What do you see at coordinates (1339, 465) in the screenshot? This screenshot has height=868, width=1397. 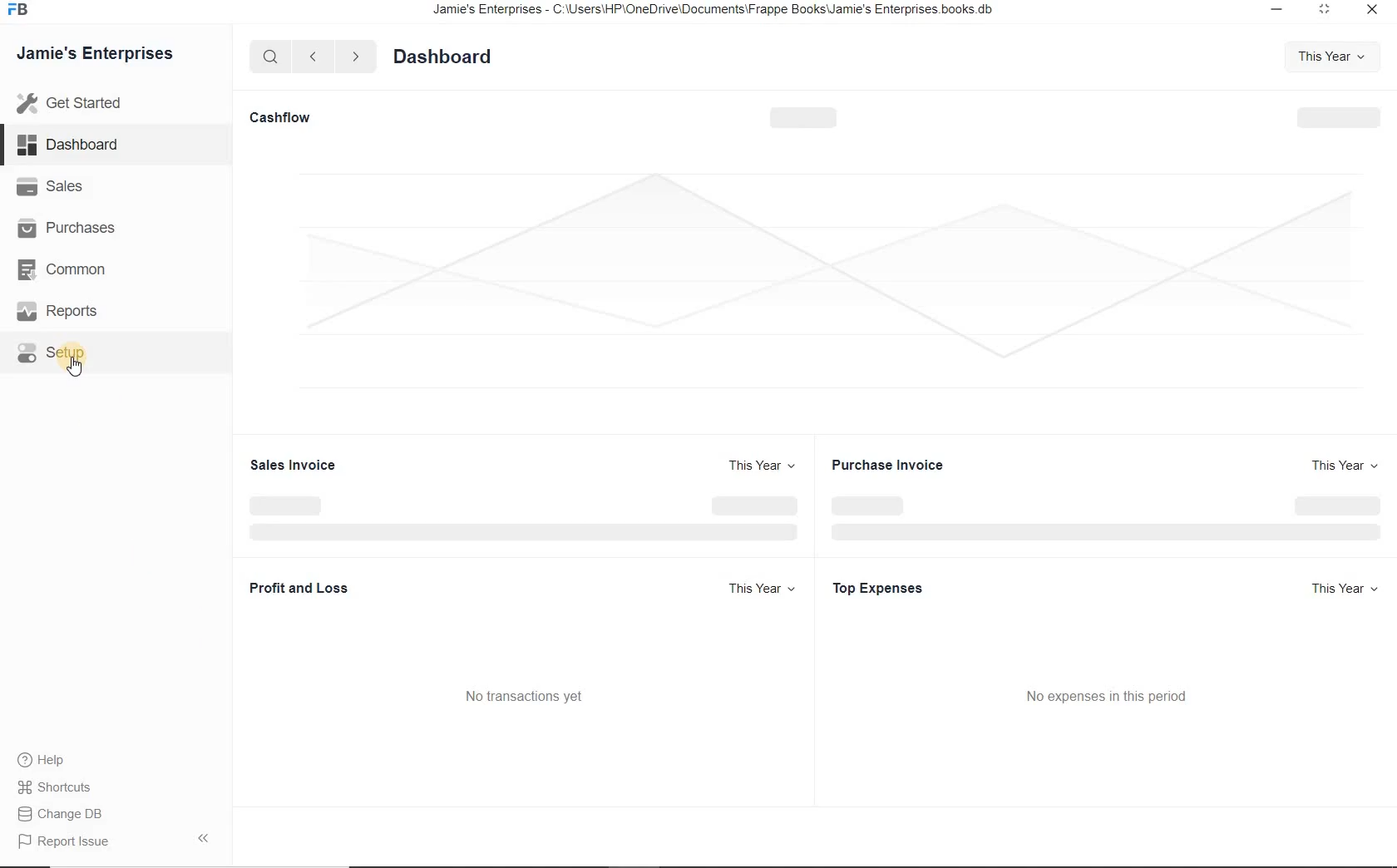 I see `This Year ` at bounding box center [1339, 465].